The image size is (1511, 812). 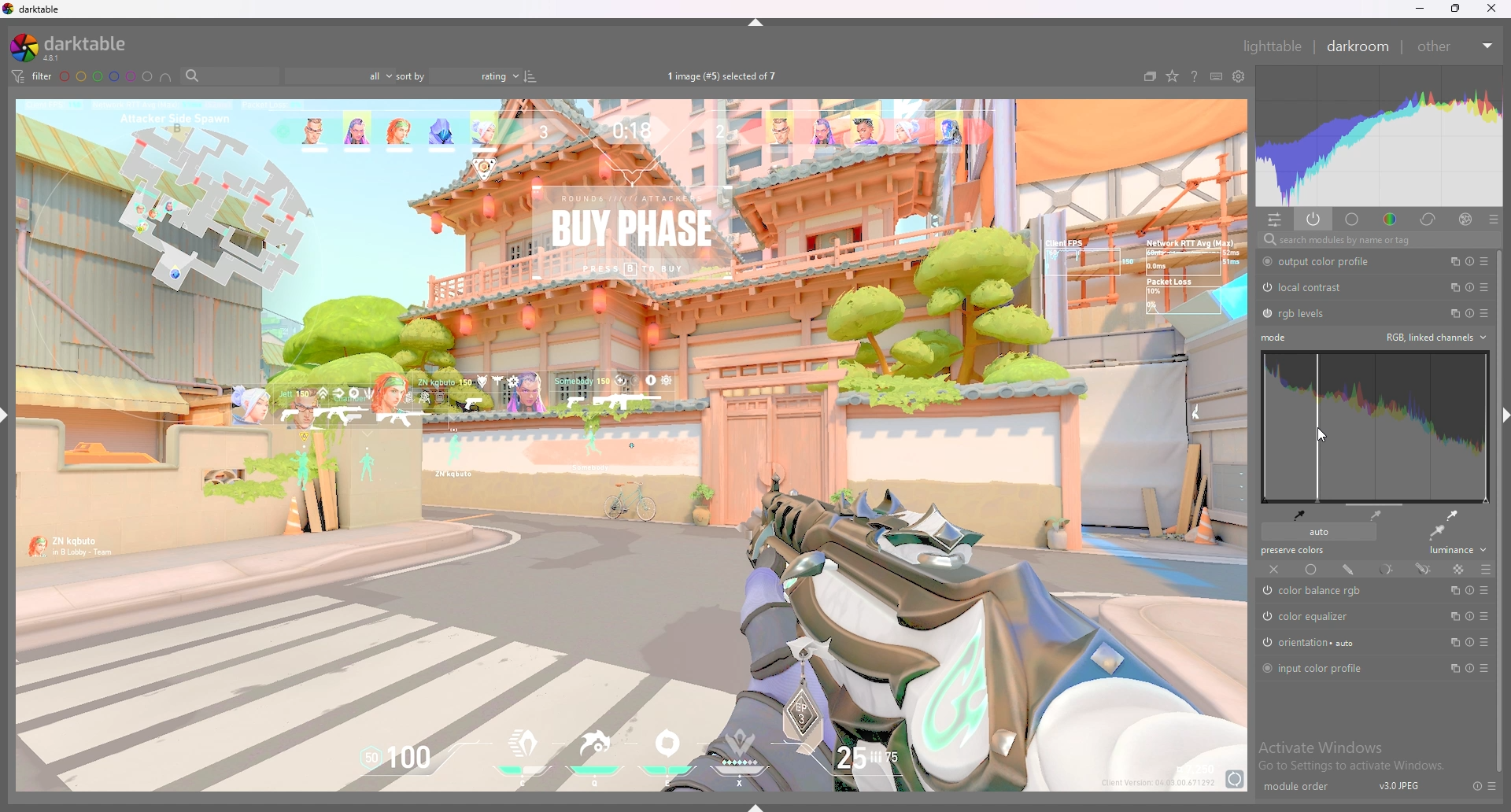 What do you see at coordinates (457, 76) in the screenshot?
I see `sort by` at bounding box center [457, 76].